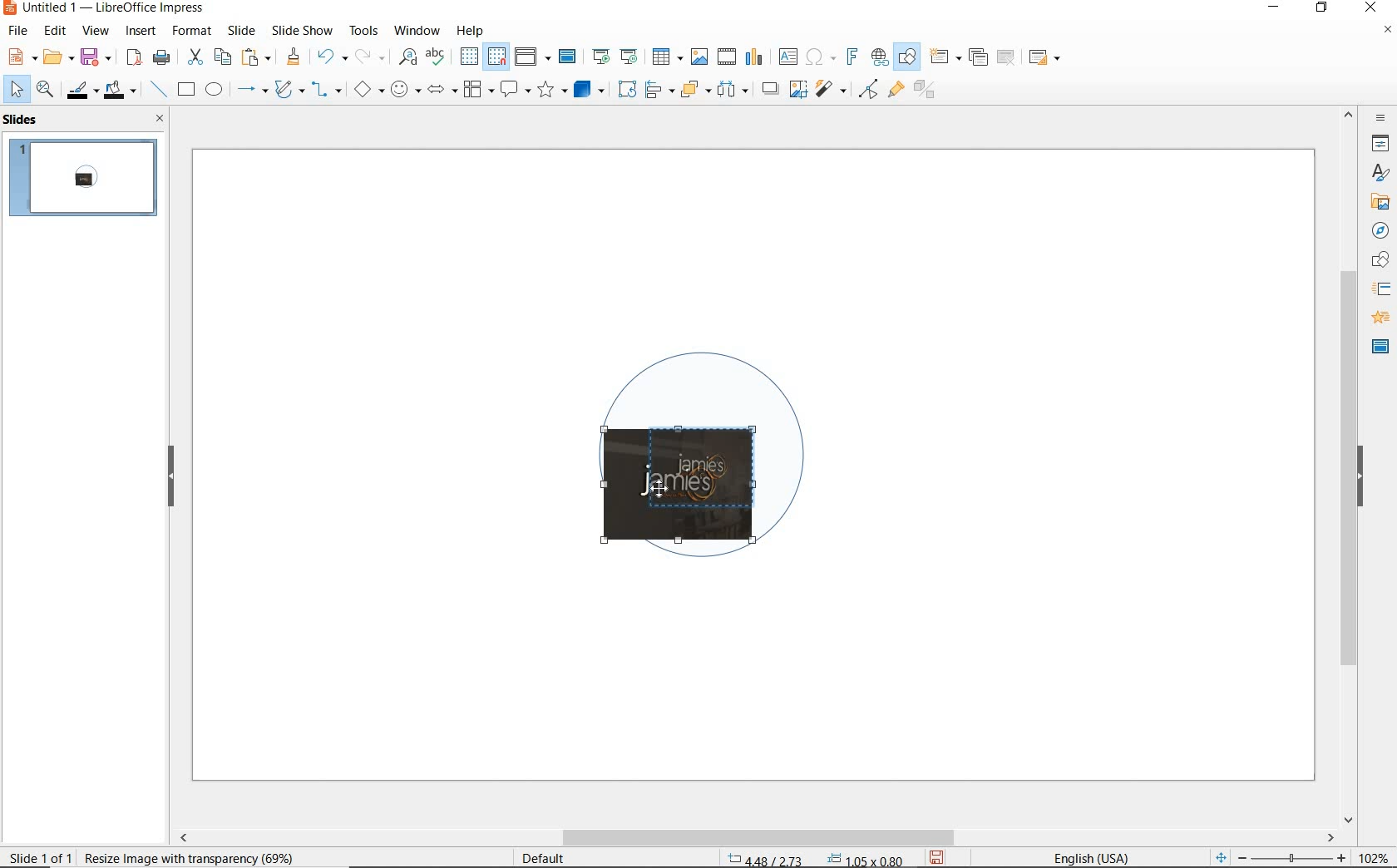 The width and height of the screenshot is (1397, 868). Describe the element at coordinates (1380, 345) in the screenshot. I see `master slide` at that location.